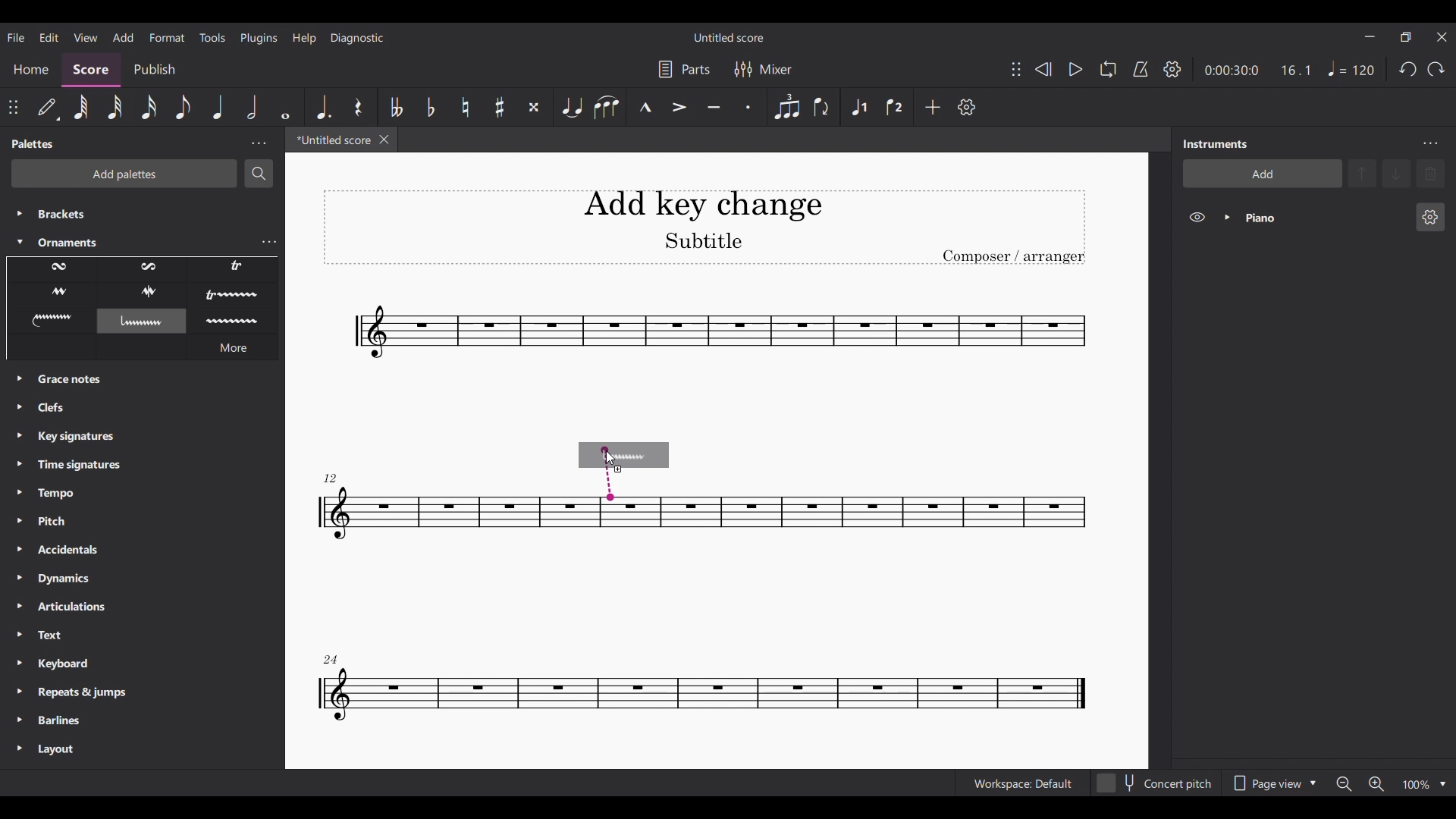 This screenshot has height=819, width=1456. Describe the element at coordinates (81, 107) in the screenshot. I see `64th note` at that location.